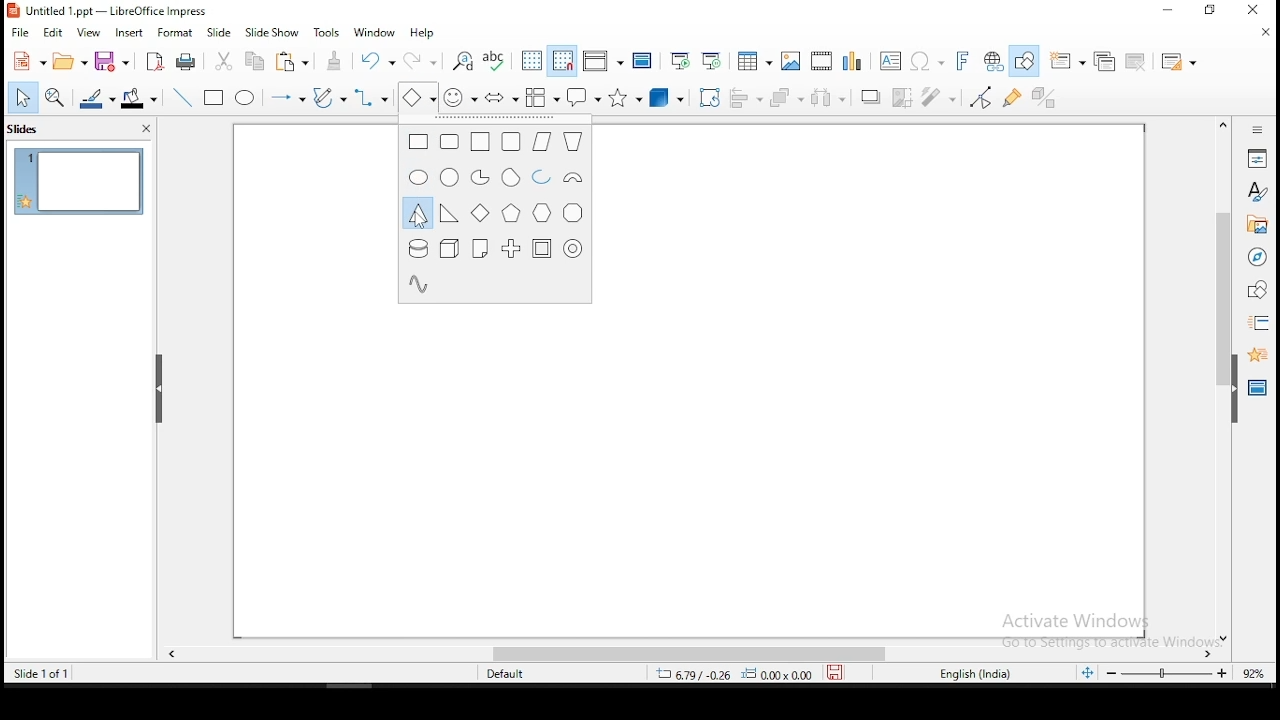 The height and width of the screenshot is (720, 1280). I want to click on ellipse, so click(247, 99).